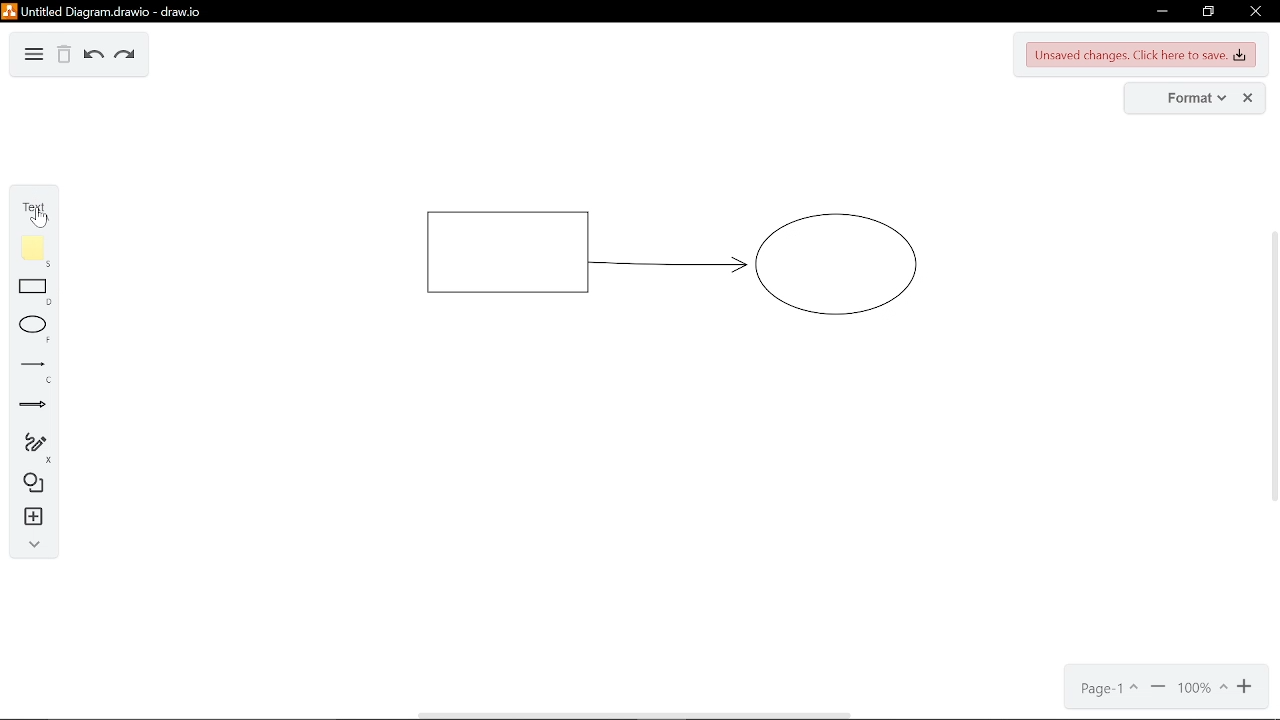 The image size is (1280, 720). Describe the element at coordinates (34, 406) in the screenshot. I see `arrows` at that location.